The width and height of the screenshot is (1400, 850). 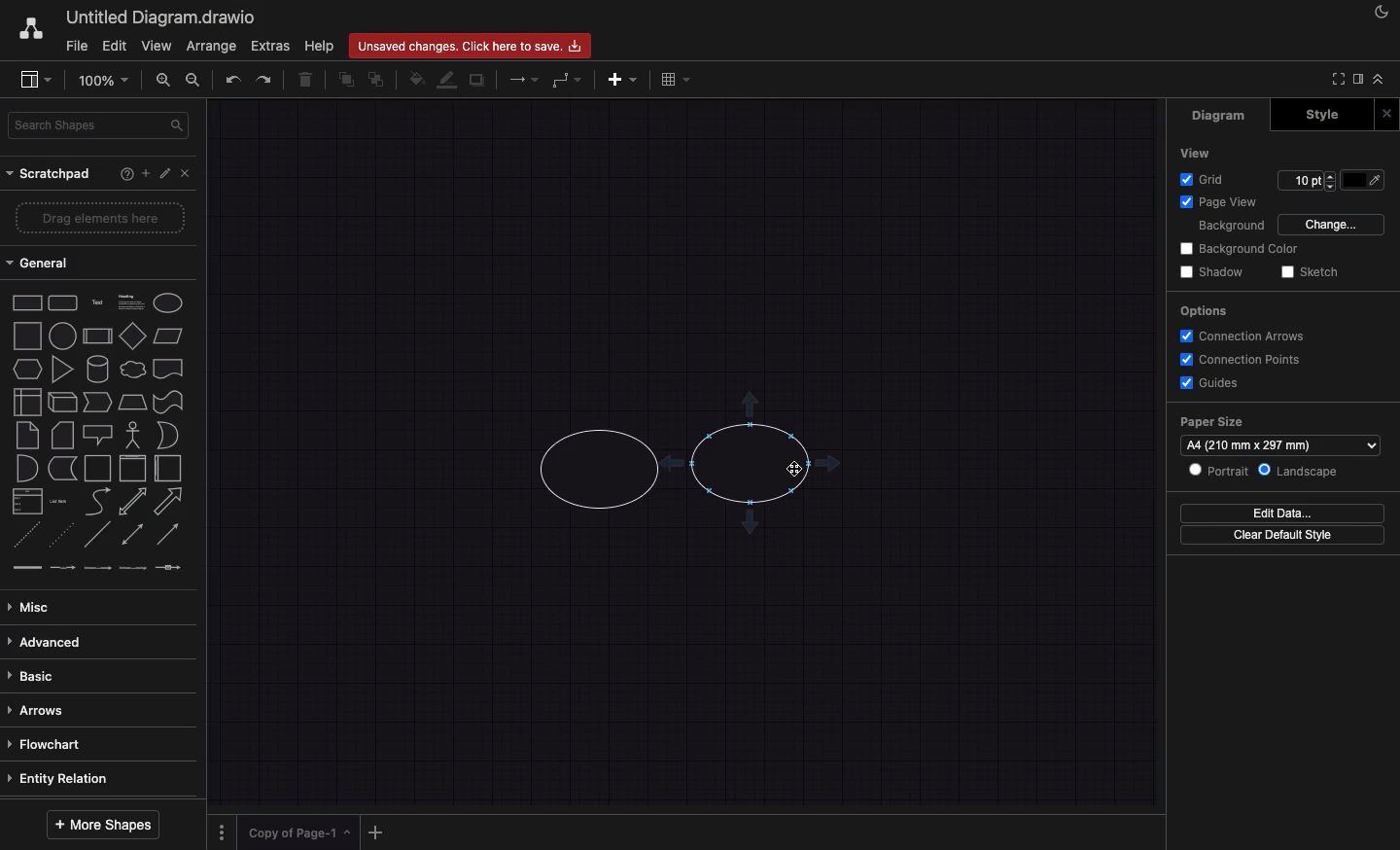 I want to click on square, so click(x=29, y=336).